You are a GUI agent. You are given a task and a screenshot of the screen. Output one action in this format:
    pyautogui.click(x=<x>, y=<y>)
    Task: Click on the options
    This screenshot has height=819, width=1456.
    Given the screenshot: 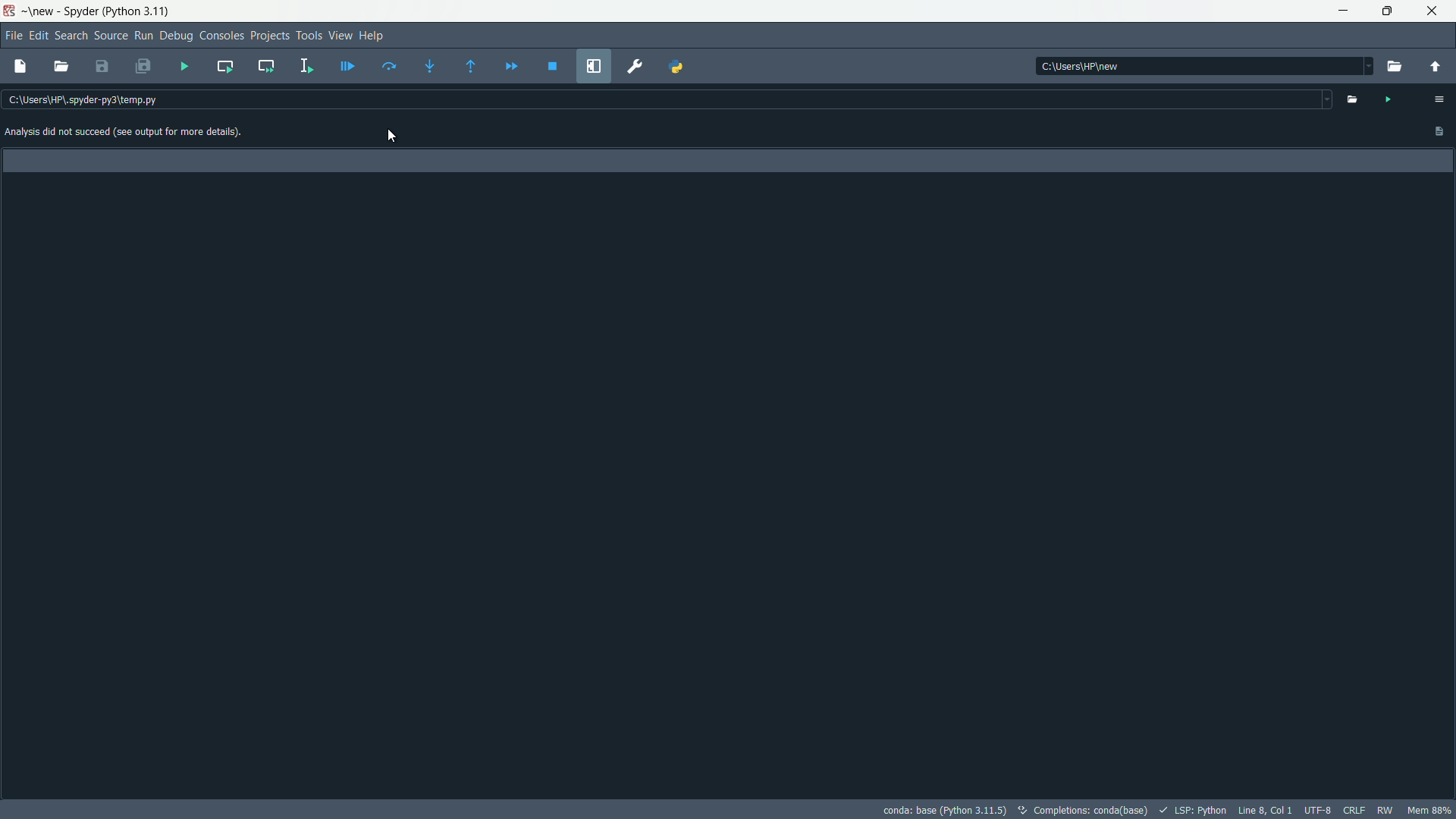 What is the action you would take?
    pyautogui.click(x=1439, y=100)
    